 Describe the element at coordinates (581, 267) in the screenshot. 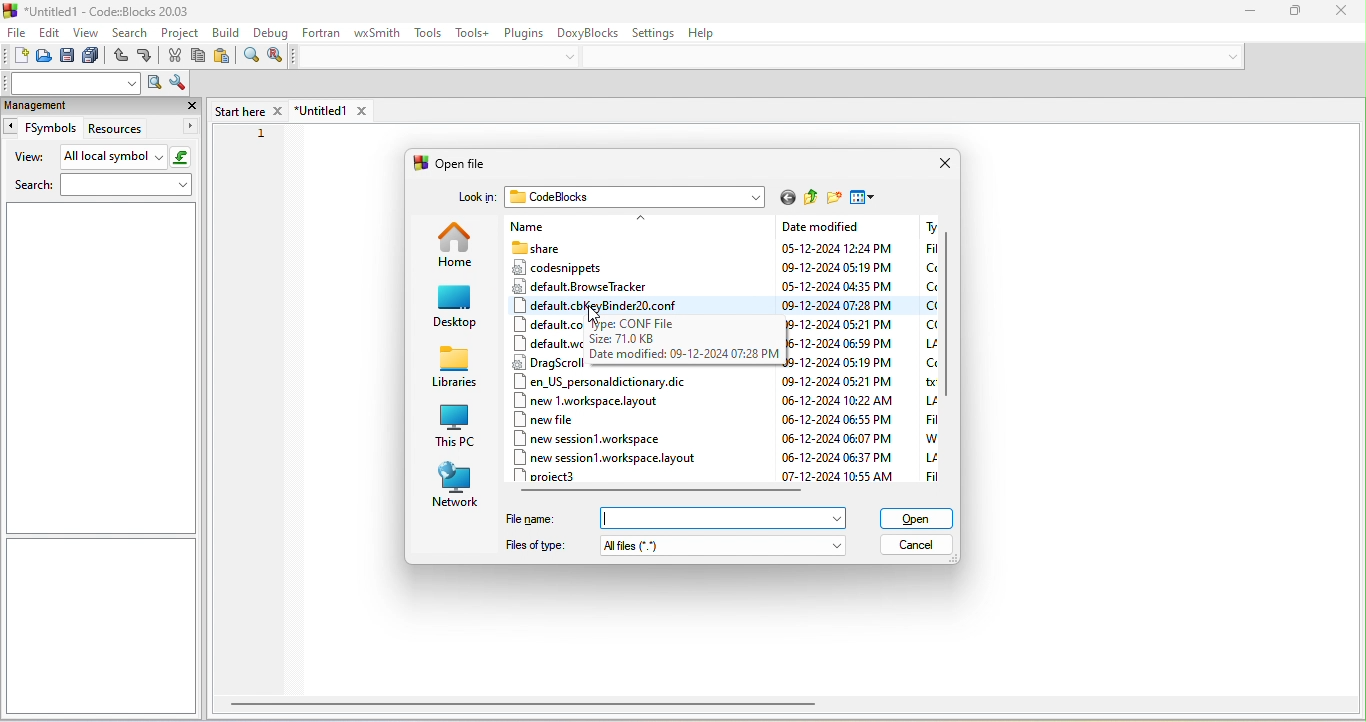

I see `code snippets` at that location.